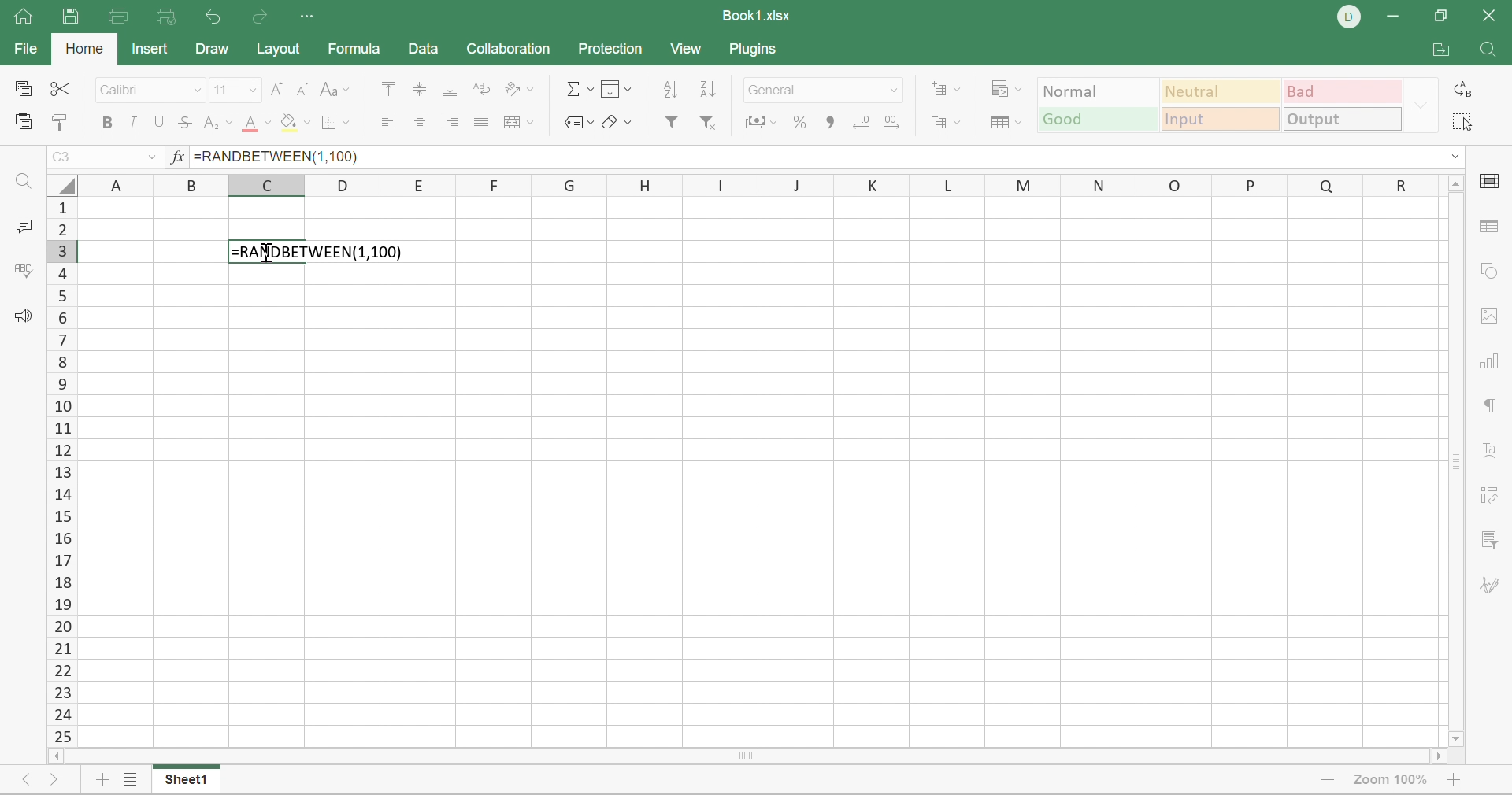 This screenshot has width=1512, height=795. Describe the element at coordinates (216, 17) in the screenshot. I see `Undo` at that location.